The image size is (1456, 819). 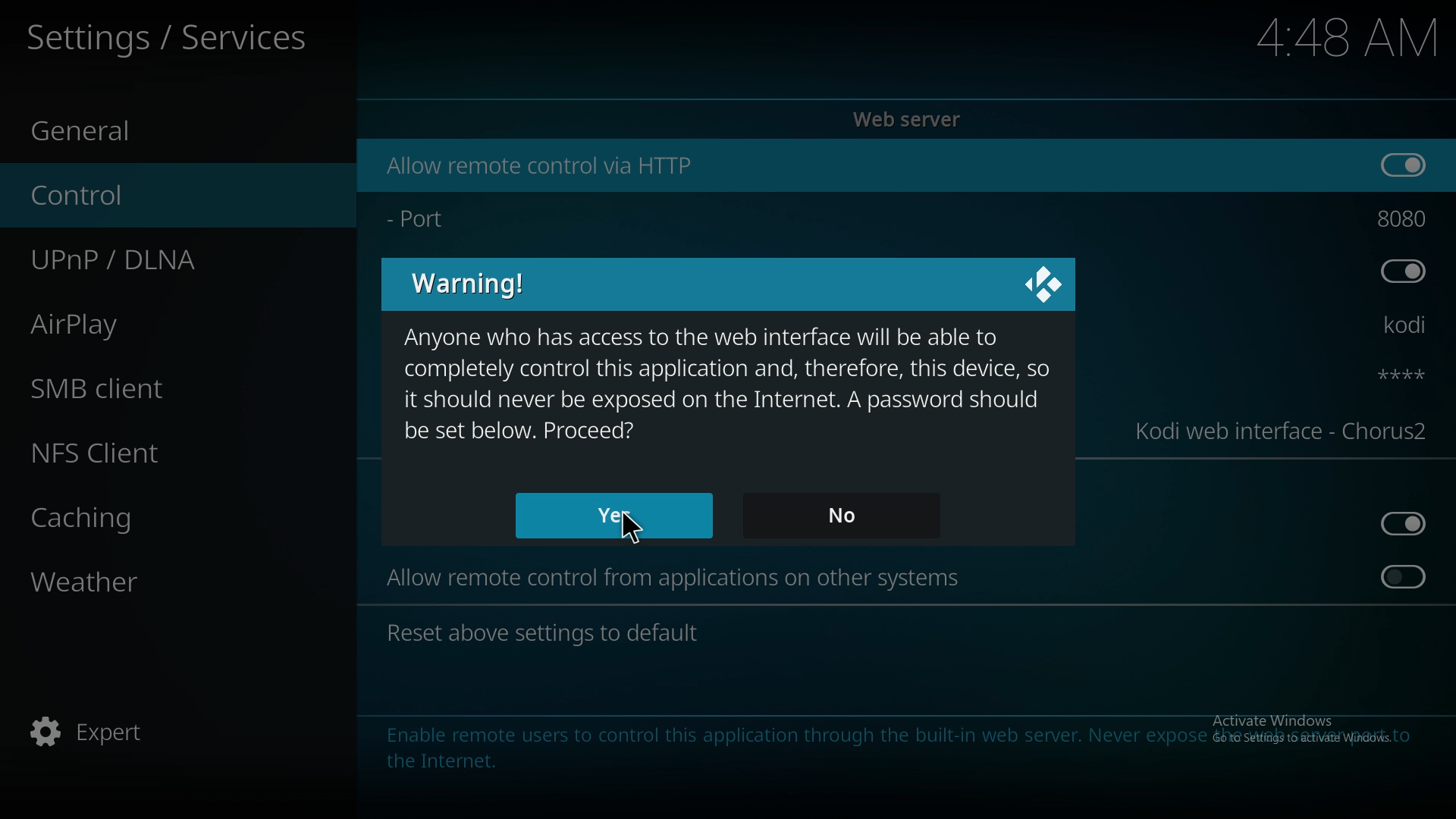 I want to click on upnp/dlna, so click(x=139, y=261).